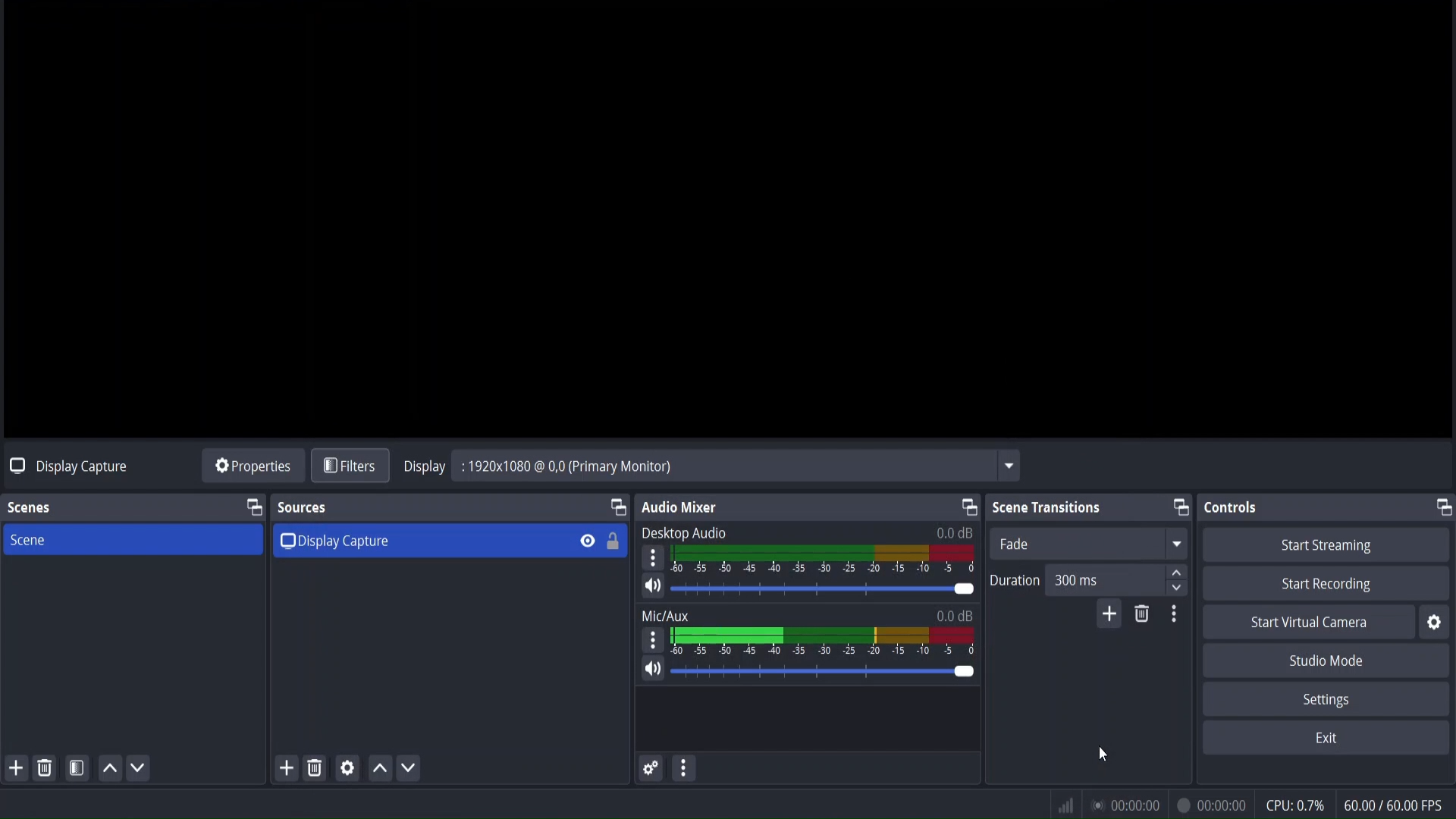  Describe the element at coordinates (652, 586) in the screenshot. I see `mute` at that location.